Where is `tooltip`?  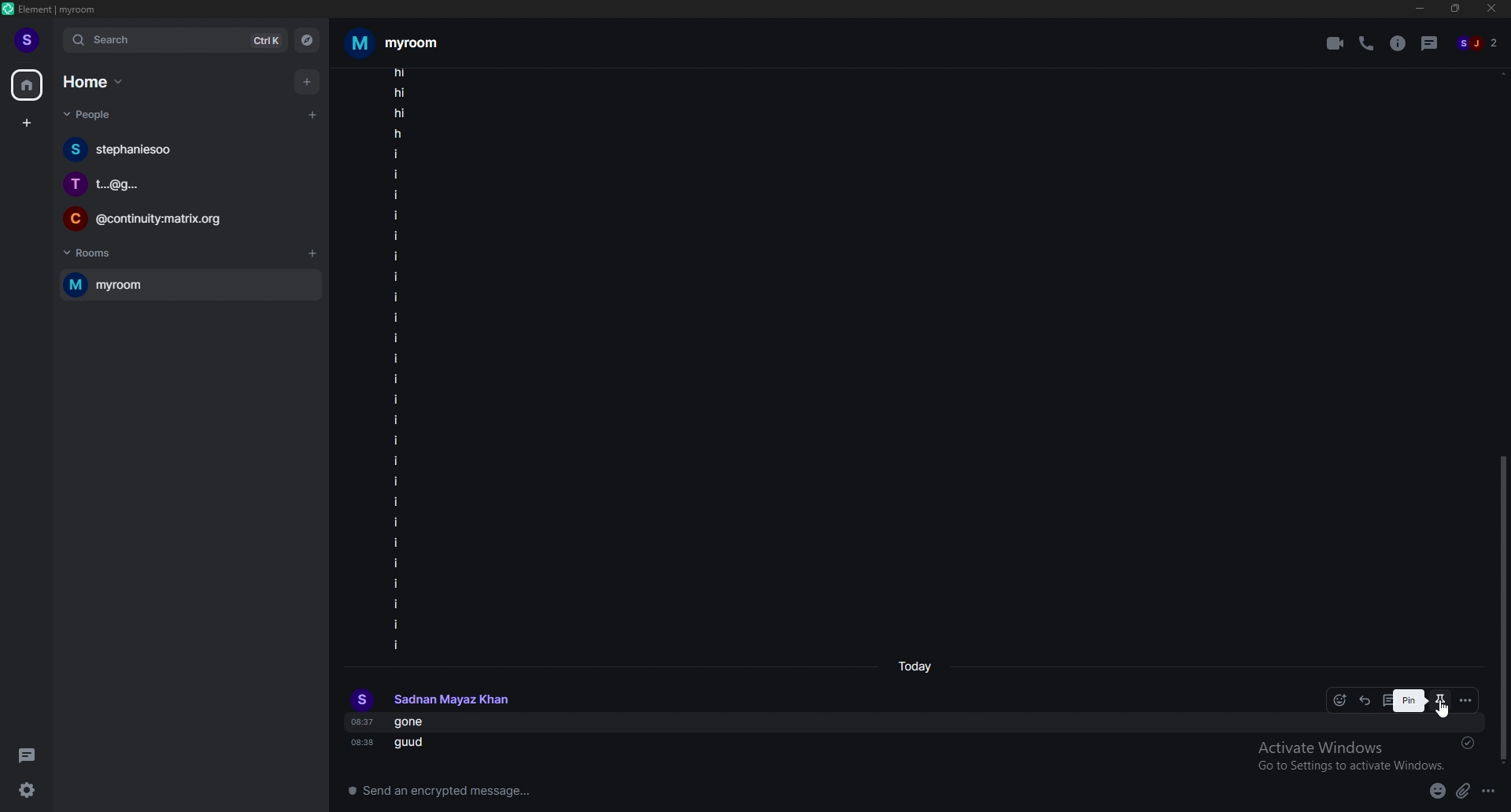
tooltip is located at coordinates (1409, 700).